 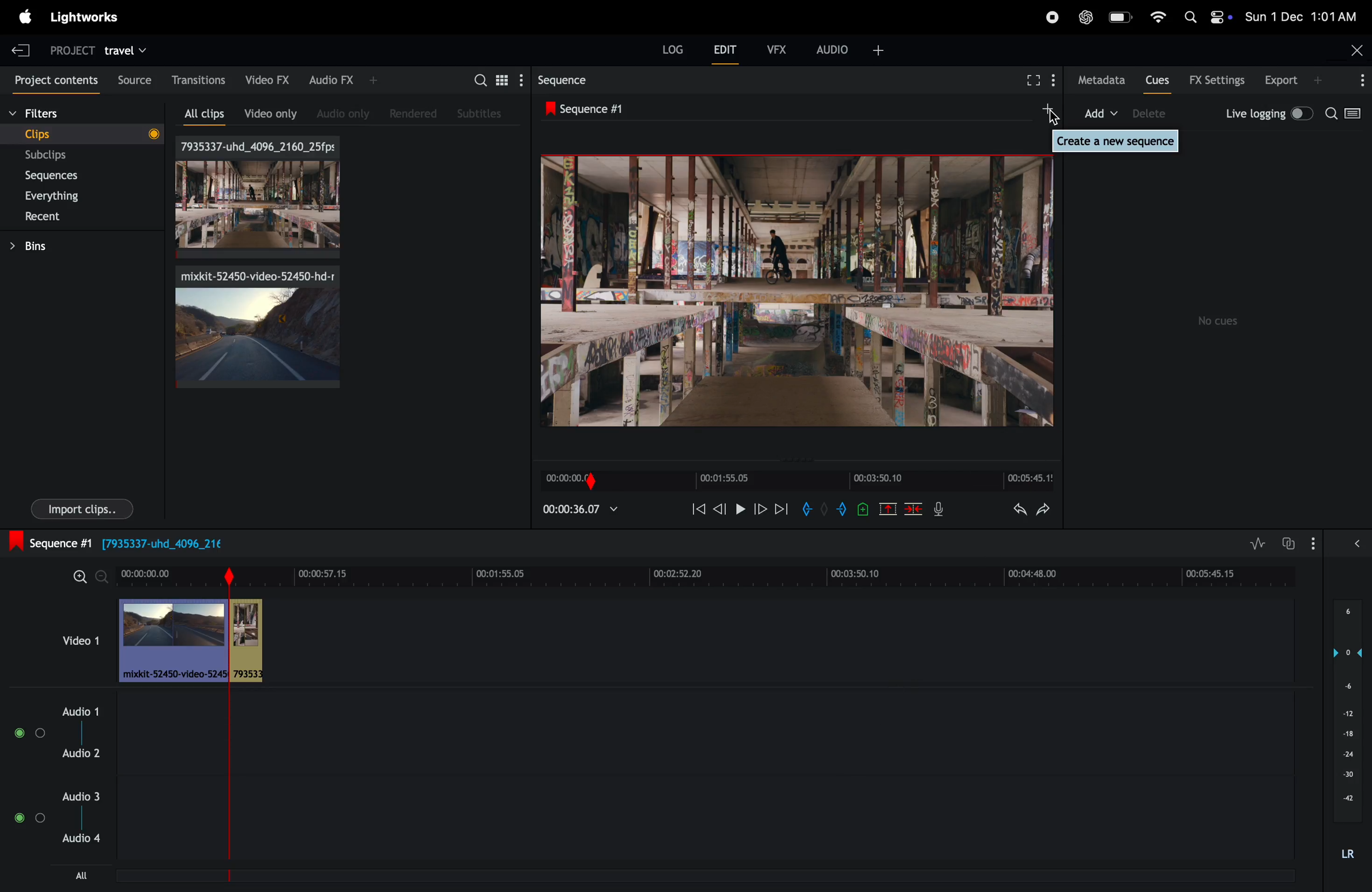 I want to click on Audio 3, so click(x=85, y=796).